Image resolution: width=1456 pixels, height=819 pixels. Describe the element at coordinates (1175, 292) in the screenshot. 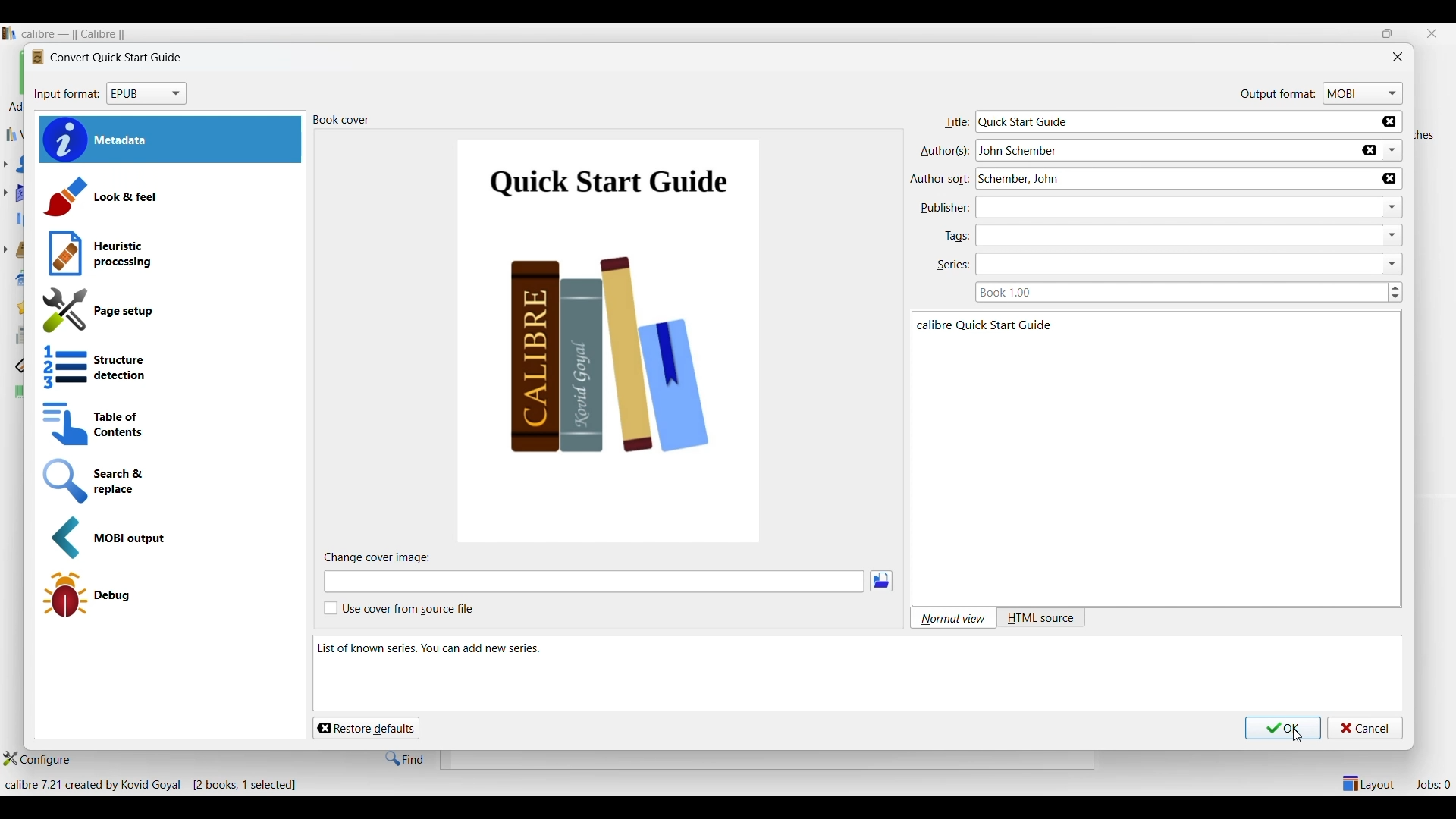

I see `Type in book series` at that location.